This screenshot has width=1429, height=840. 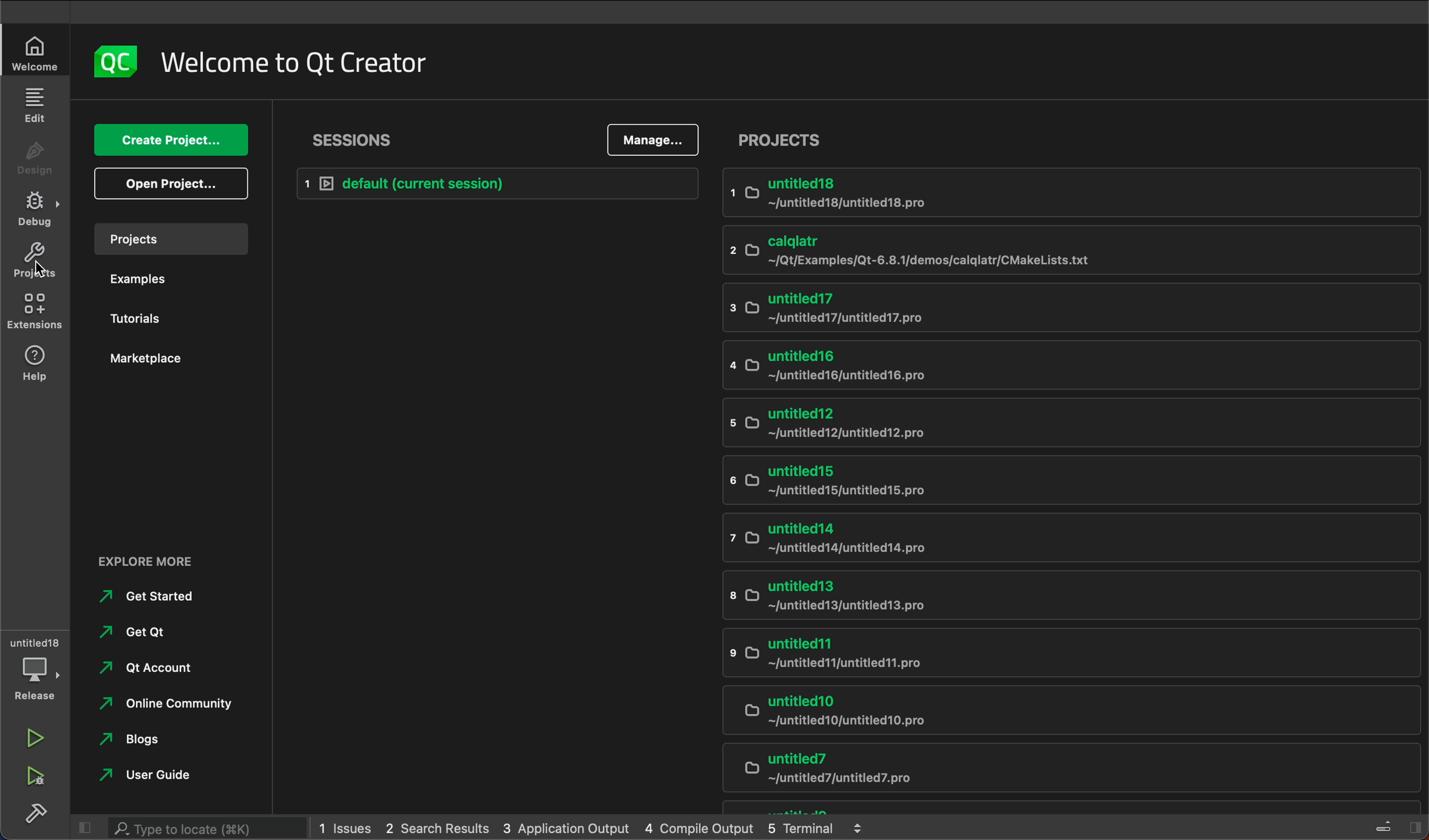 What do you see at coordinates (161, 740) in the screenshot?
I see `blogs` at bounding box center [161, 740].